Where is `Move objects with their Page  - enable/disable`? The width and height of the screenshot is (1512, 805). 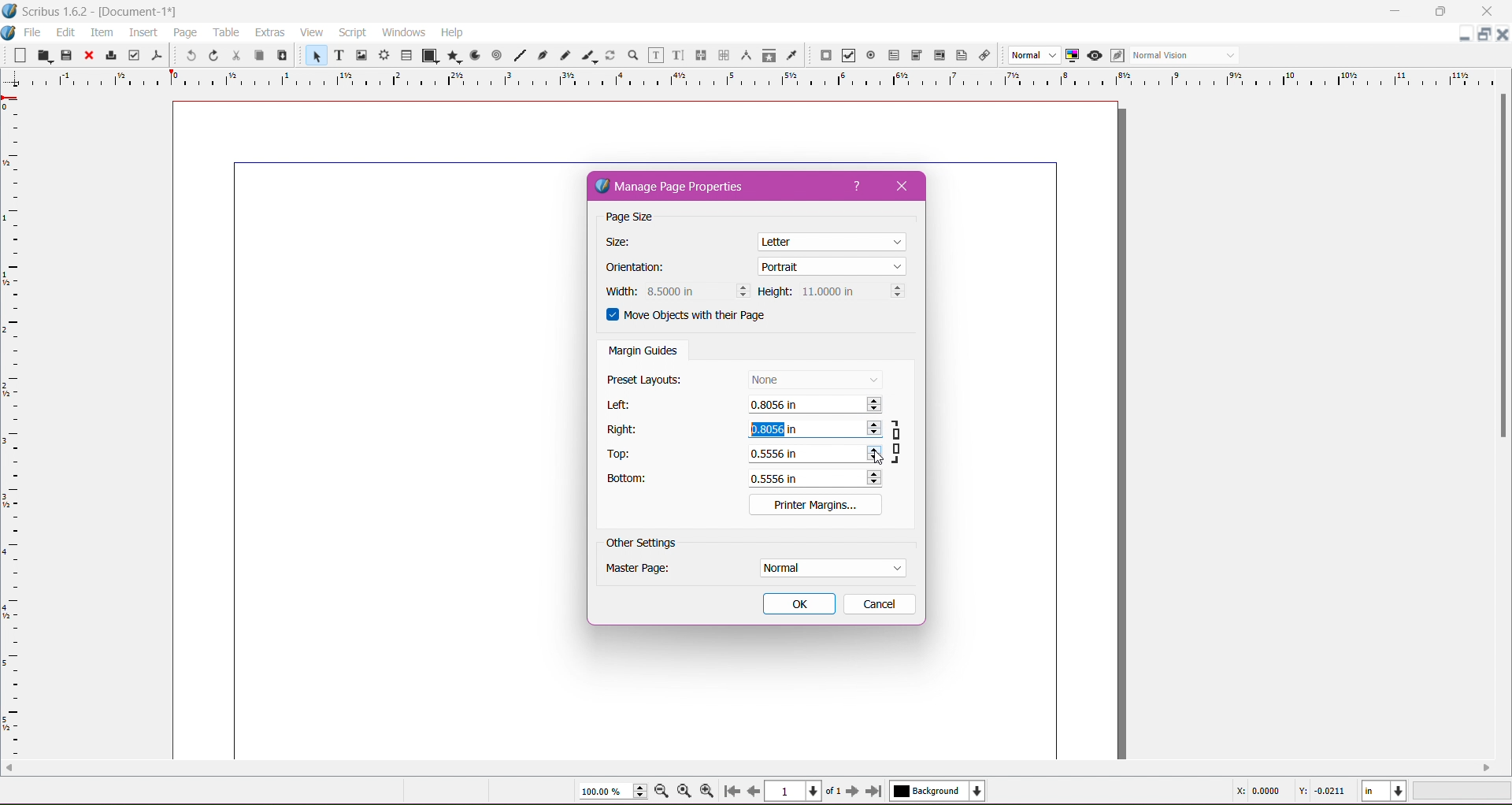 Move objects with their Page  - enable/disable is located at coordinates (696, 317).